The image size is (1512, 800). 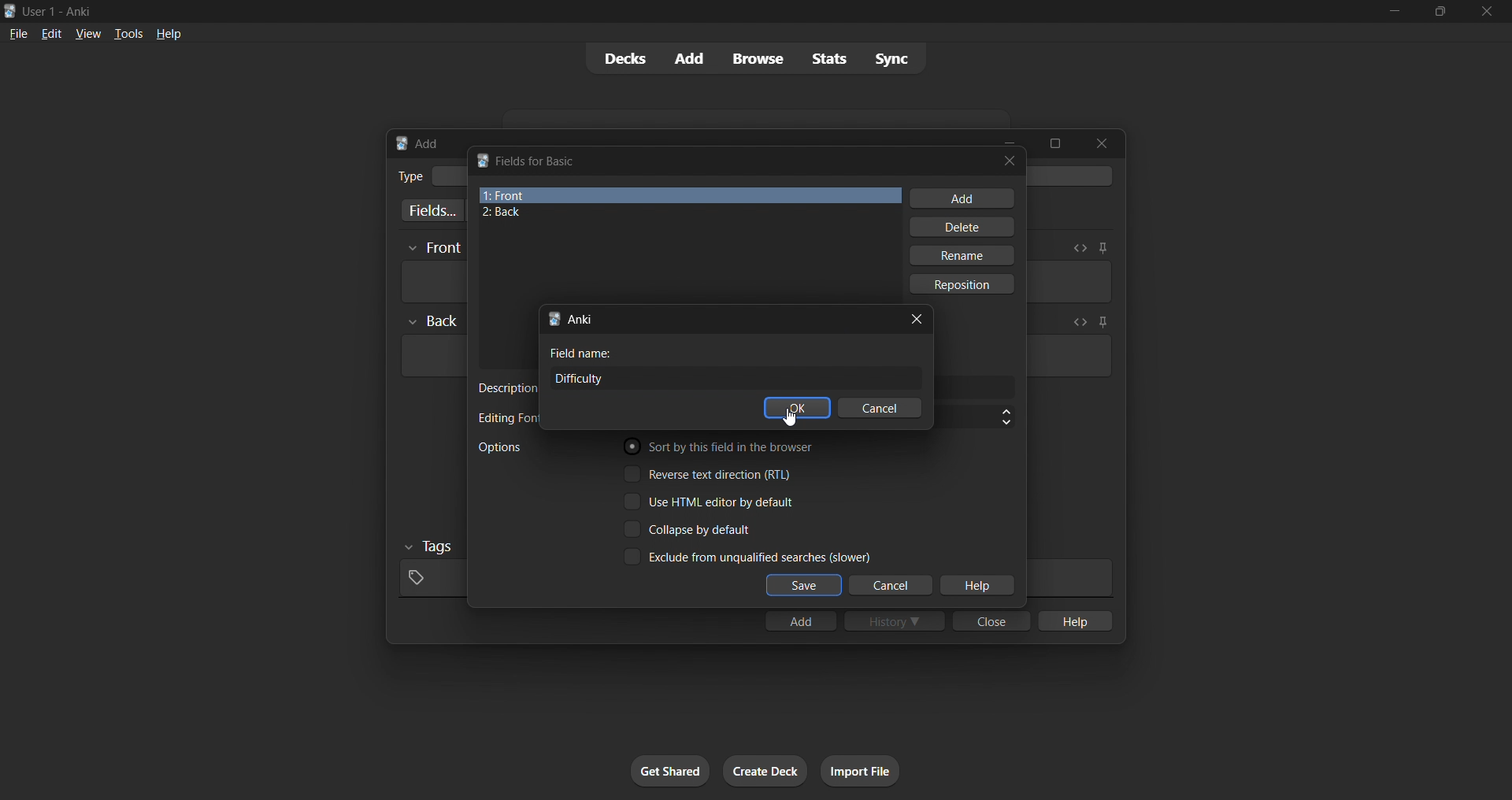 I want to click on tools, so click(x=127, y=33).